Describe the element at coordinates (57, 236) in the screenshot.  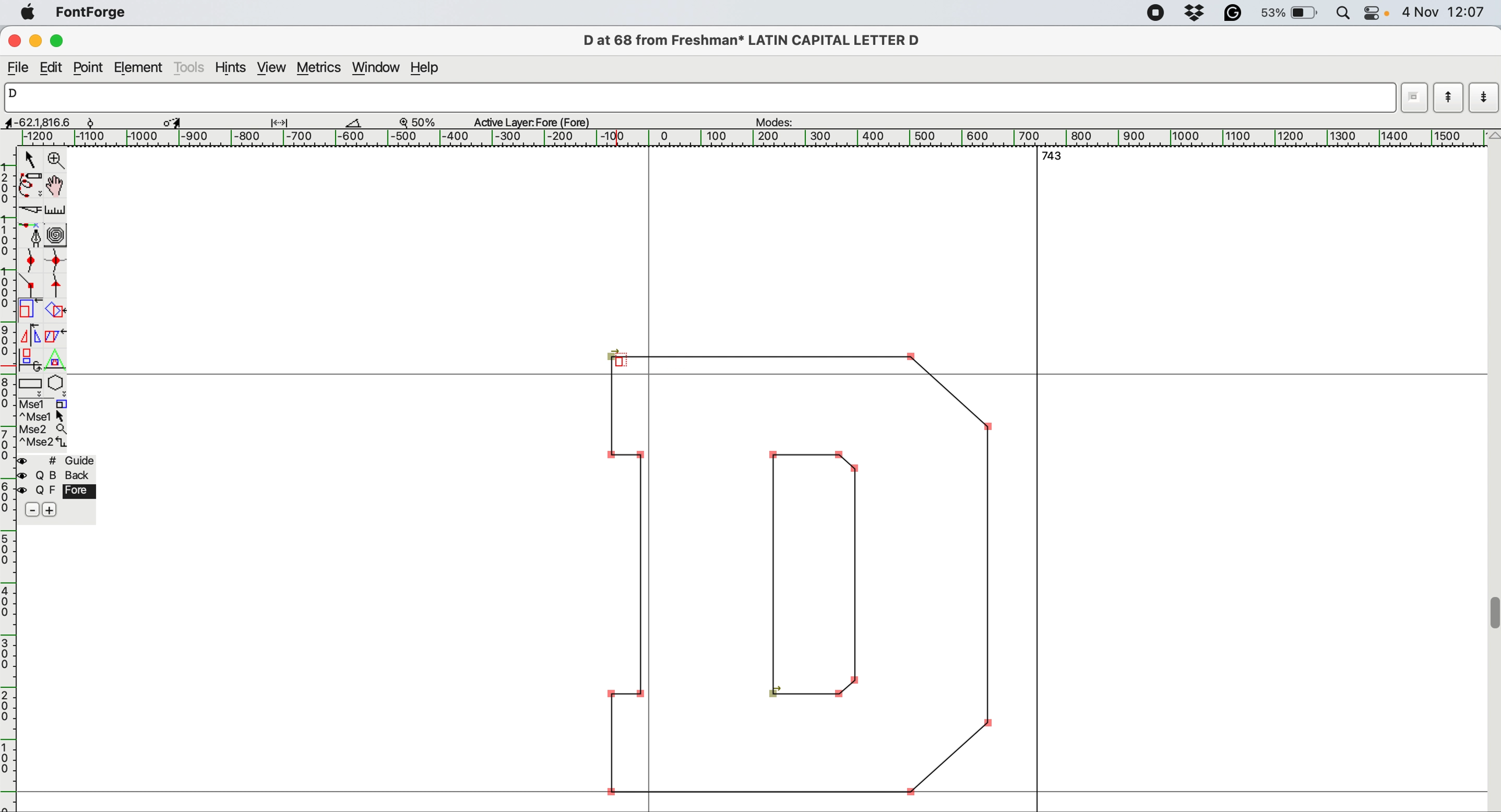
I see `change when spiro is active or not` at that location.